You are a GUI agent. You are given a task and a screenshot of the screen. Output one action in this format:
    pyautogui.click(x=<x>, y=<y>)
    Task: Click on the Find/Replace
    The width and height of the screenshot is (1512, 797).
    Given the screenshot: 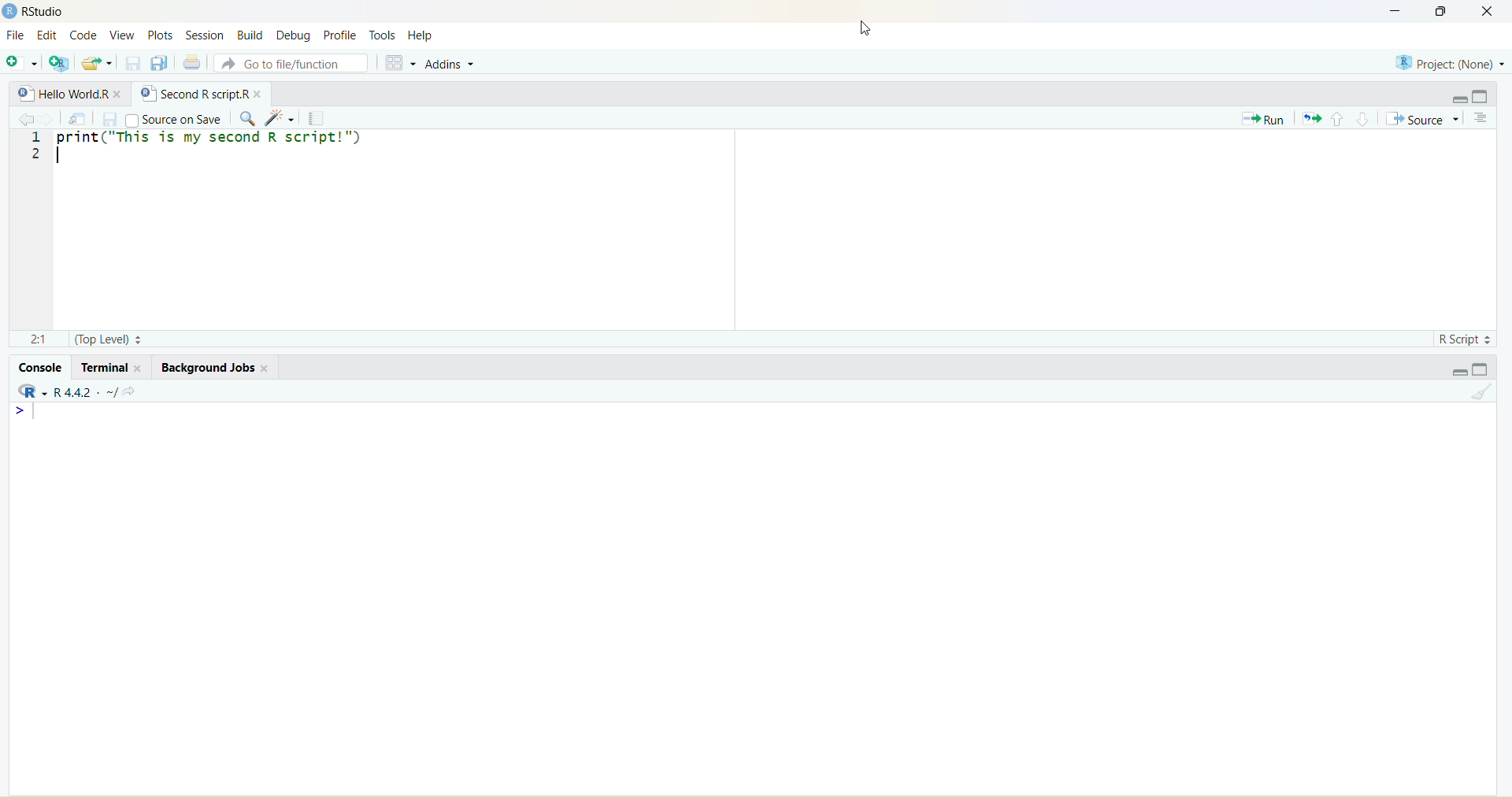 What is the action you would take?
    pyautogui.click(x=245, y=119)
    